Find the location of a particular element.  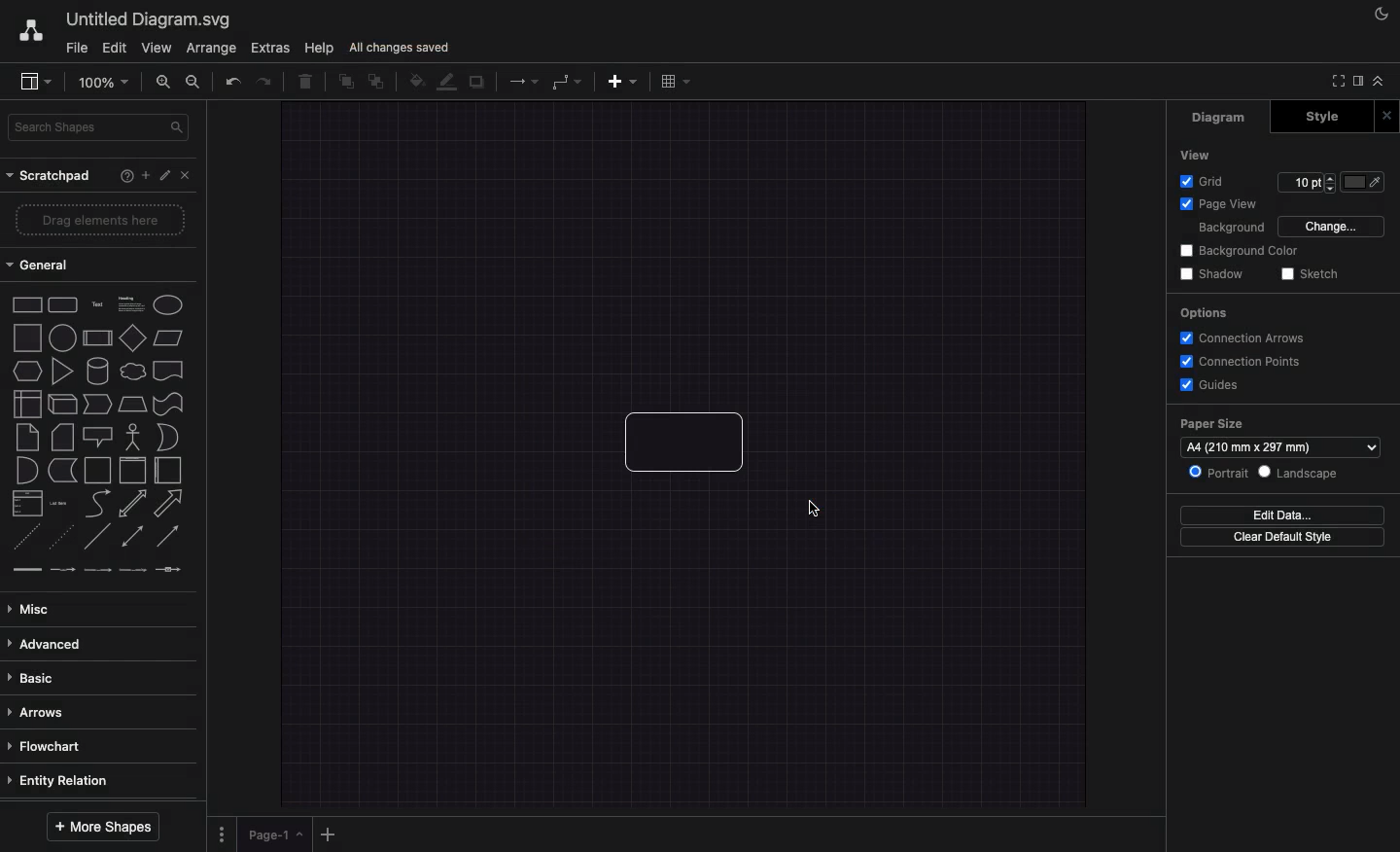

Background color is located at coordinates (1238, 251).